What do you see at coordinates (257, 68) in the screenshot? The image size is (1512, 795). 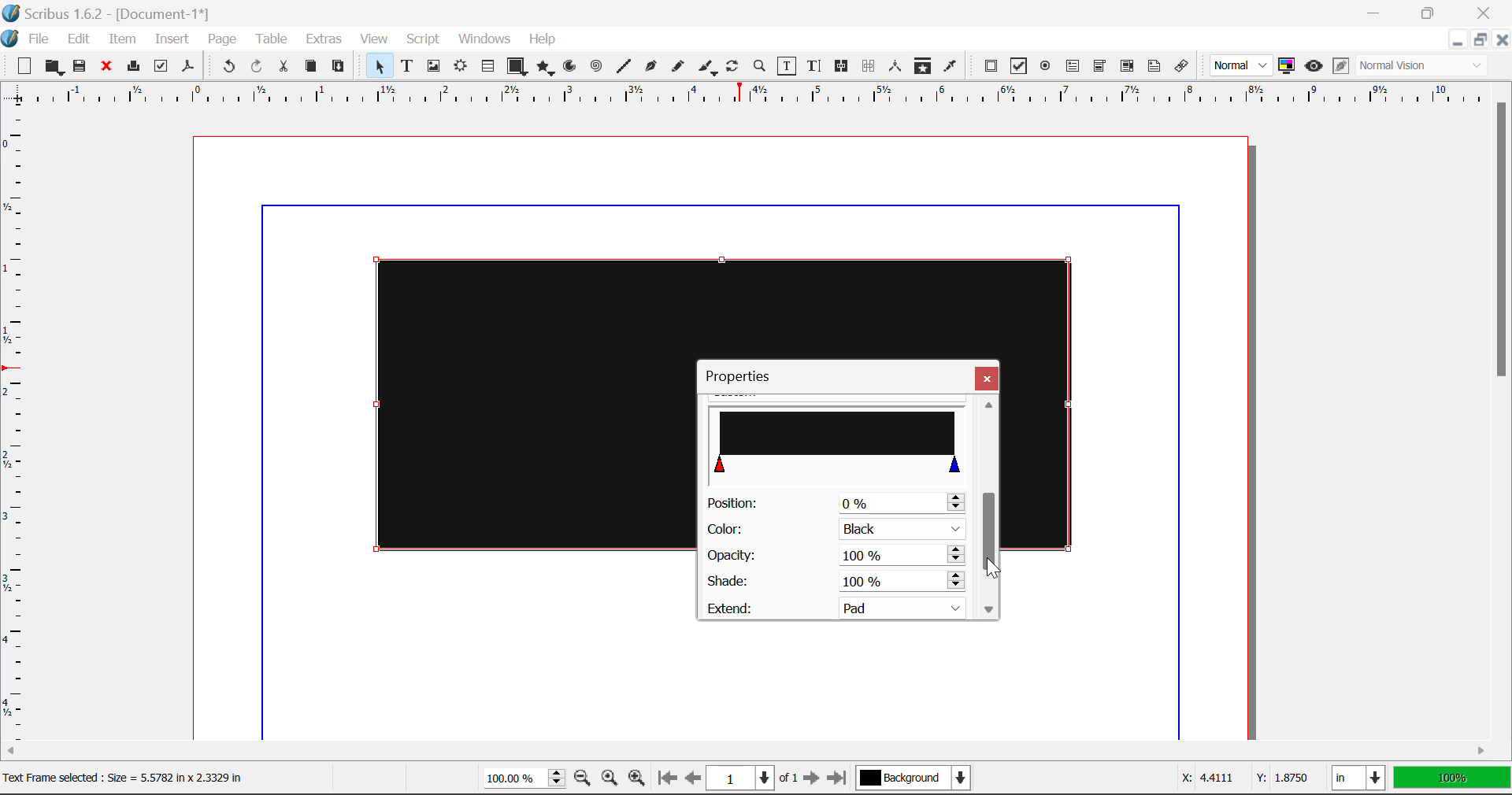 I see `Redo` at bounding box center [257, 68].